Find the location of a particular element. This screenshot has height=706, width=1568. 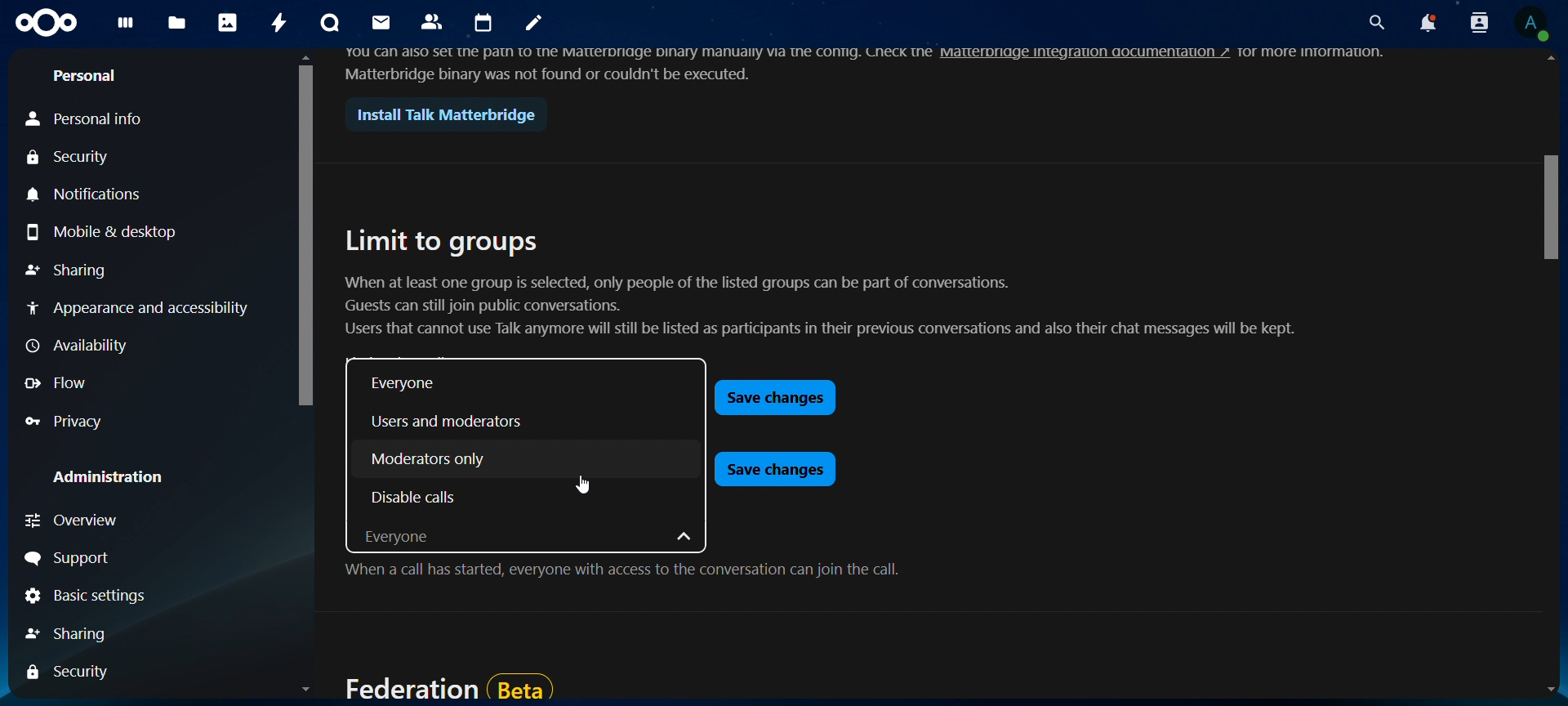

everyone is located at coordinates (406, 386).